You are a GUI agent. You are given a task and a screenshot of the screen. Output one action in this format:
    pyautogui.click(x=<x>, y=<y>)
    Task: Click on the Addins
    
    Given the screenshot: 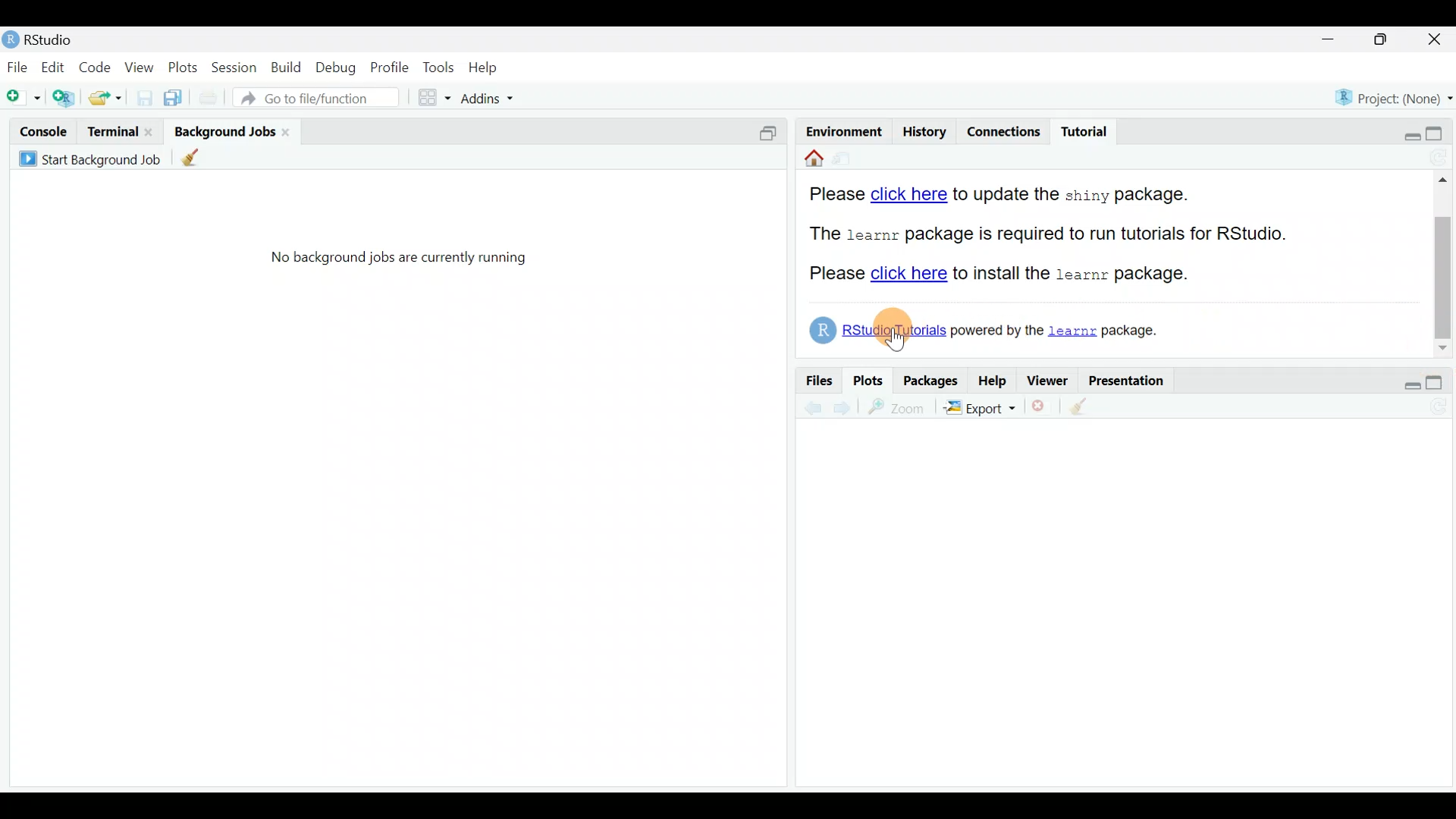 What is the action you would take?
    pyautogui.click(x=479, y=97)
    